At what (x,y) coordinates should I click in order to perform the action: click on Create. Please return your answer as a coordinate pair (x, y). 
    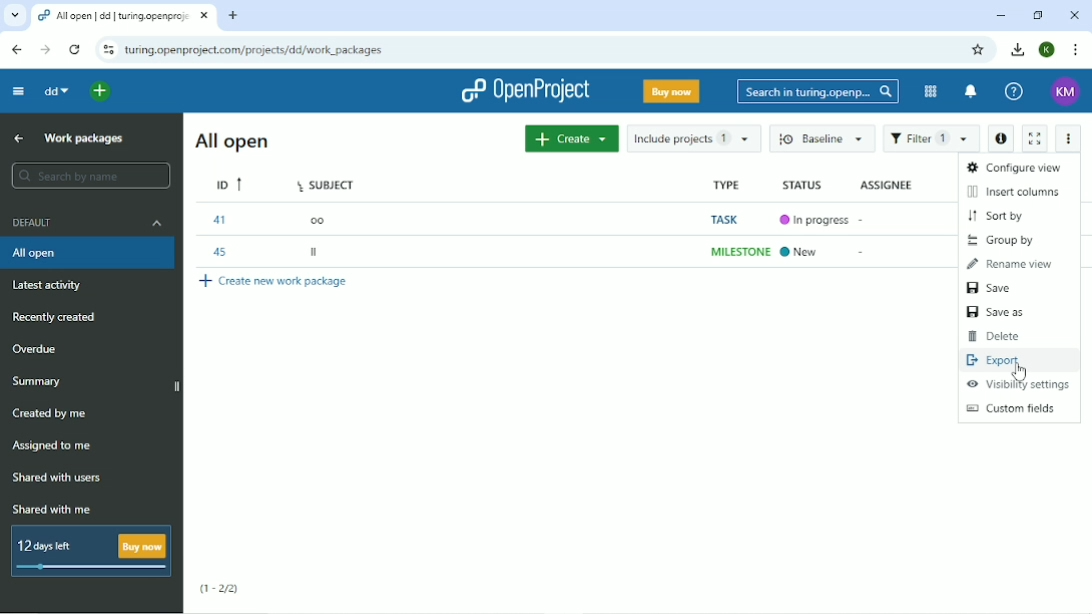
    Looking at the image, I should click on (572, 138).